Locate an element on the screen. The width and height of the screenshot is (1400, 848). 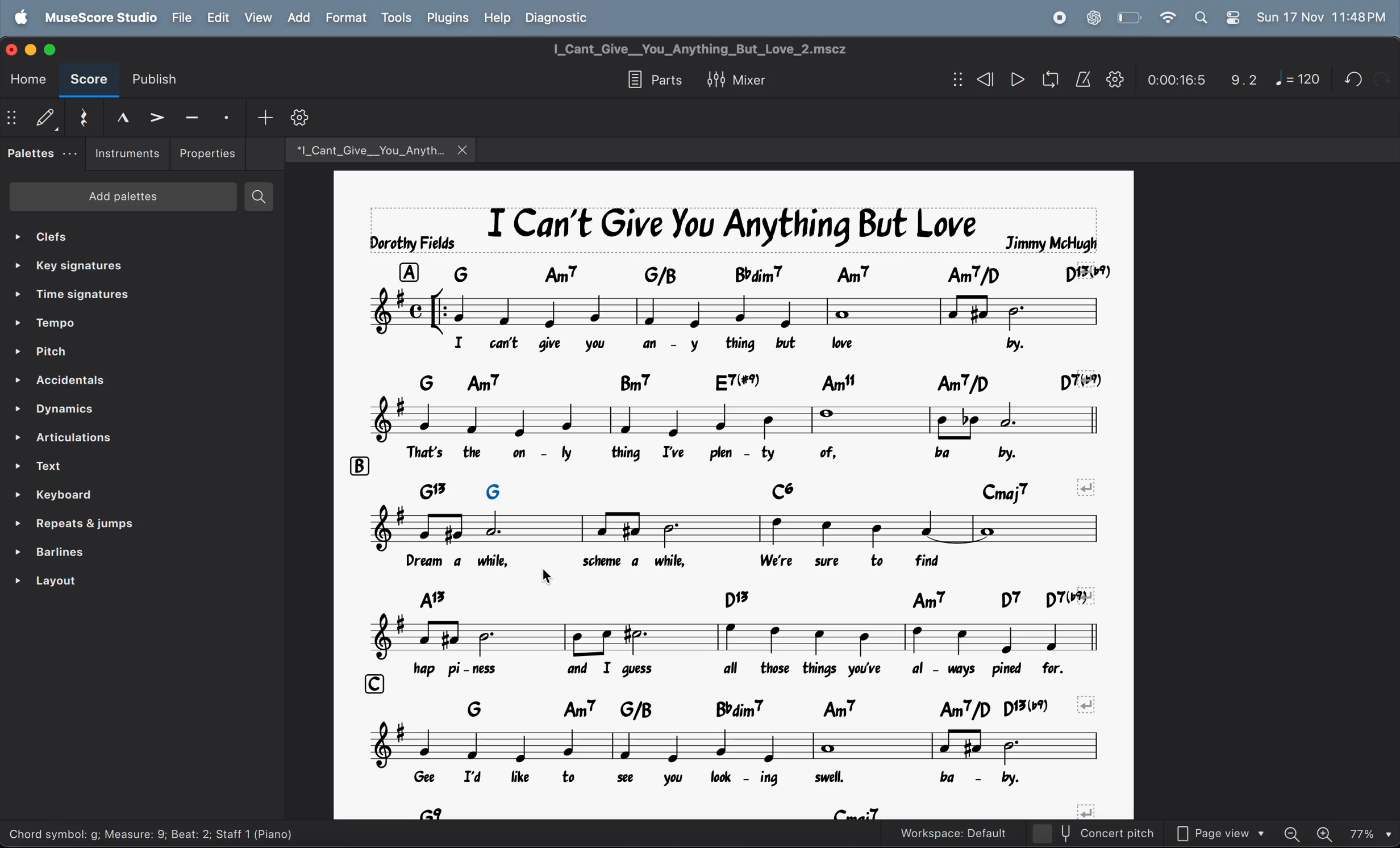
minimize is located at coordinates (29, 49).